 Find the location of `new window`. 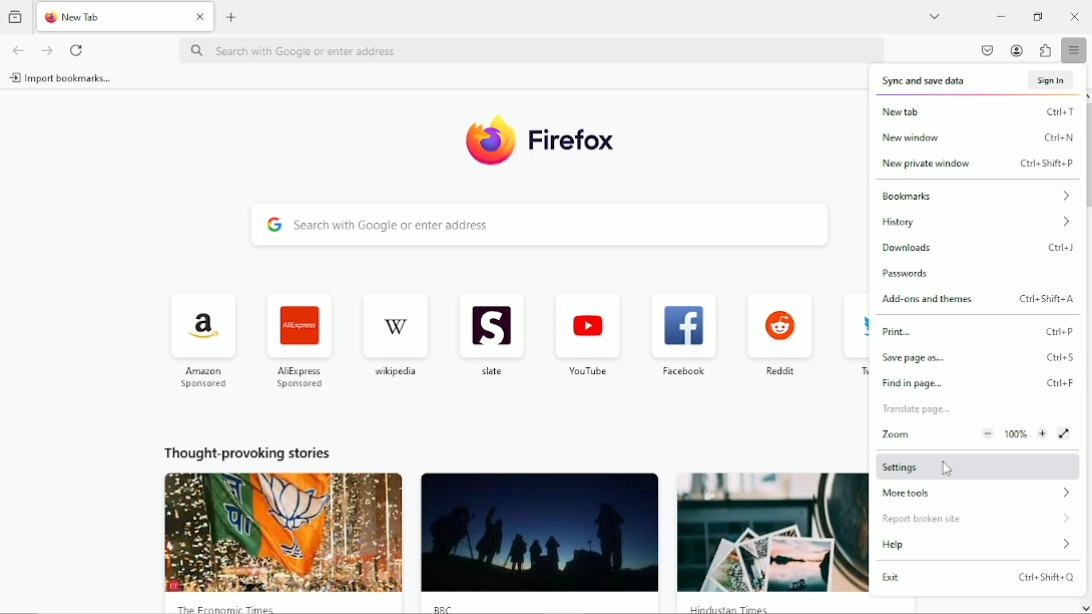

new window is located at coordinates (946, 137).